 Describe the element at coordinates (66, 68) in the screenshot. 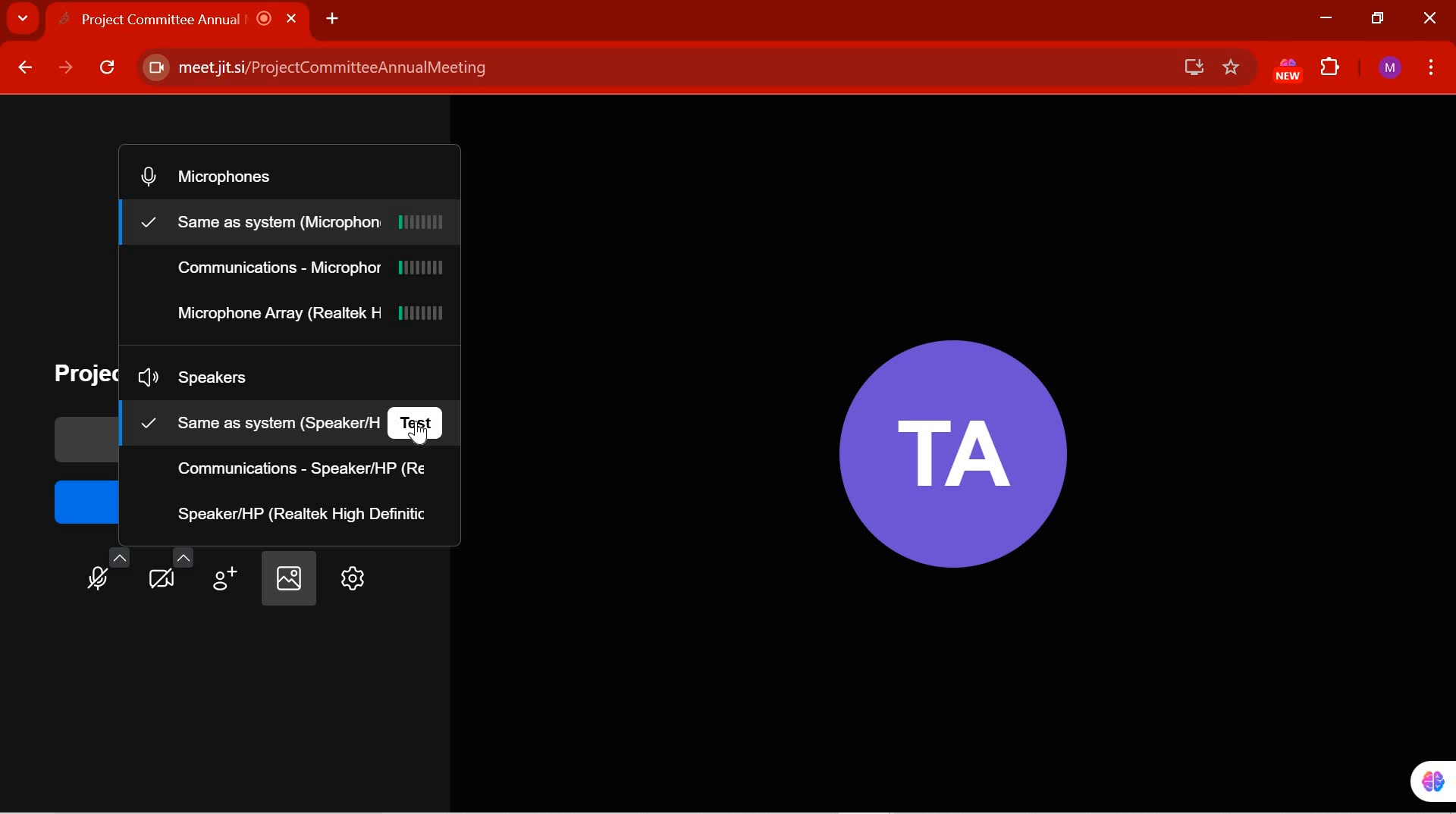

I see `FORWARD` at that location.